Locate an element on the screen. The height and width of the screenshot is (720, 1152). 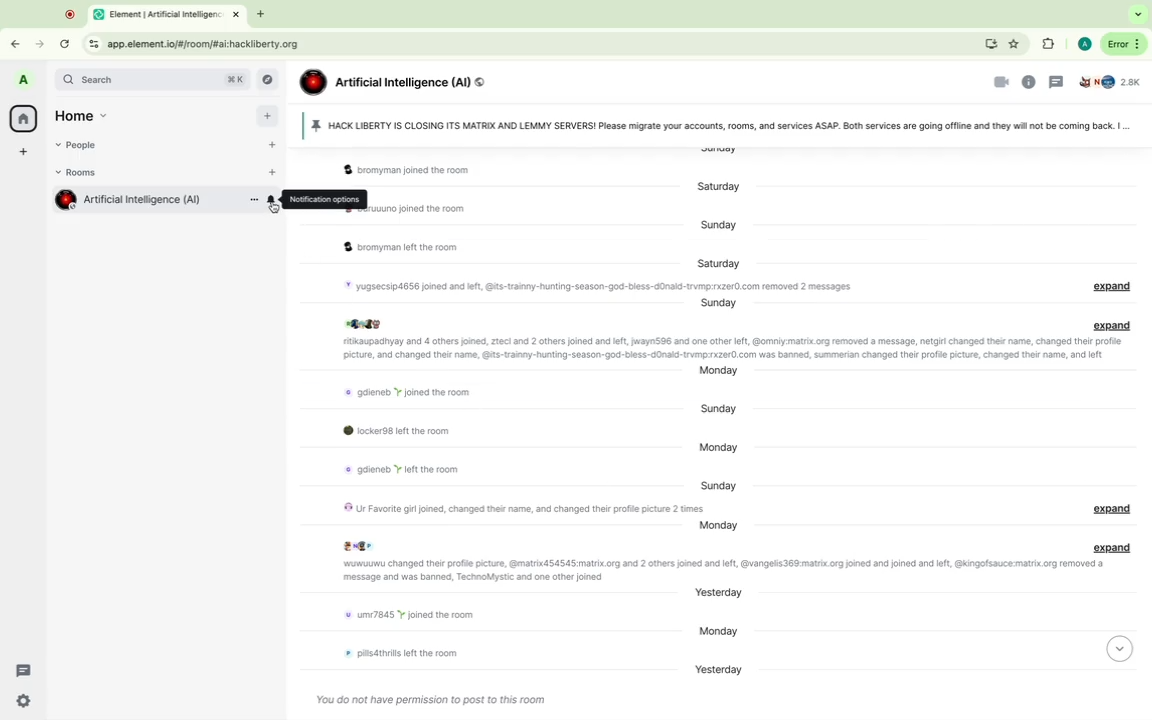
Expand is located at coordinates (1114, 509).